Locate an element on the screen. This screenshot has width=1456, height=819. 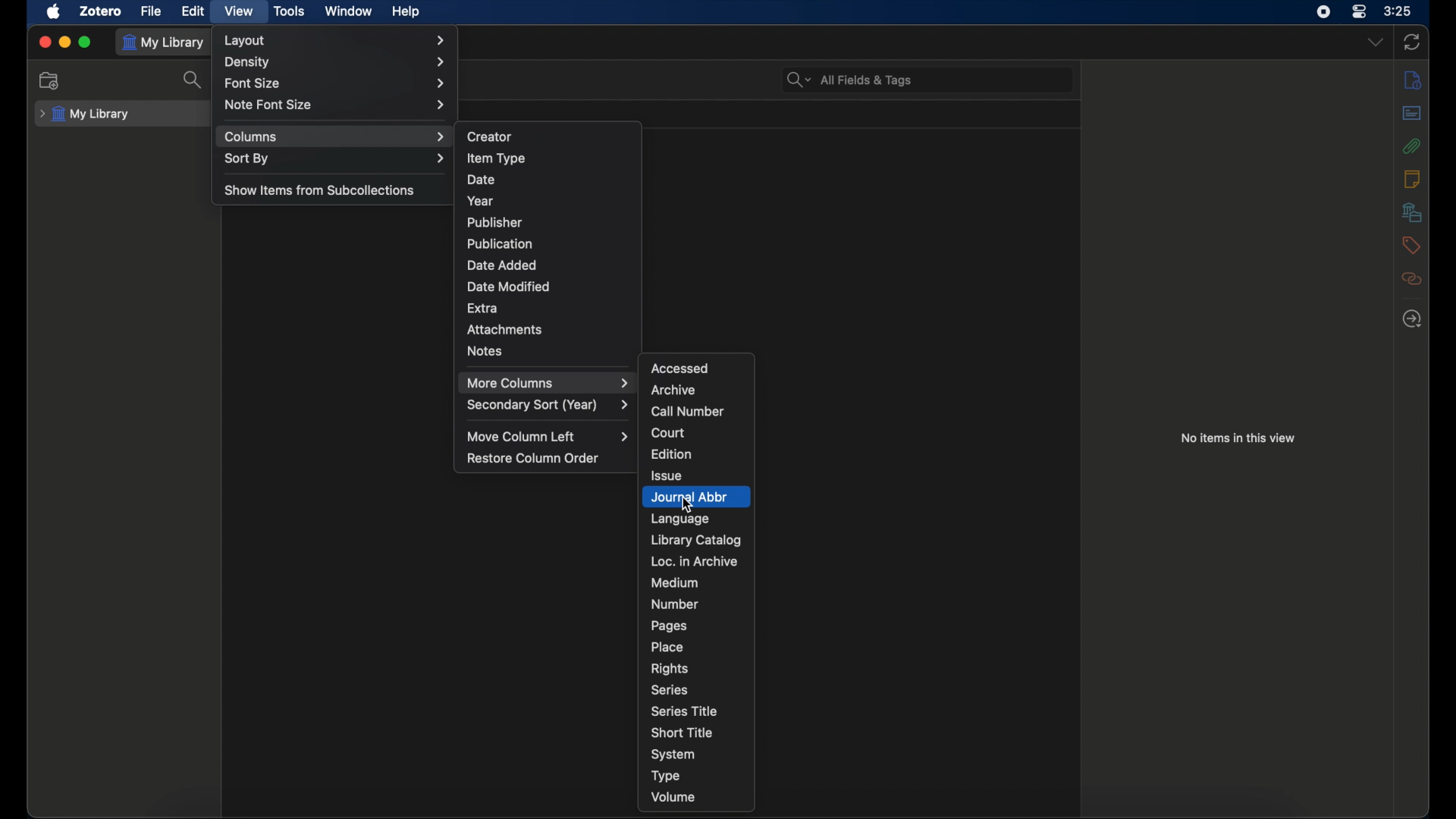
maximize is located at coordinates (86, 42).